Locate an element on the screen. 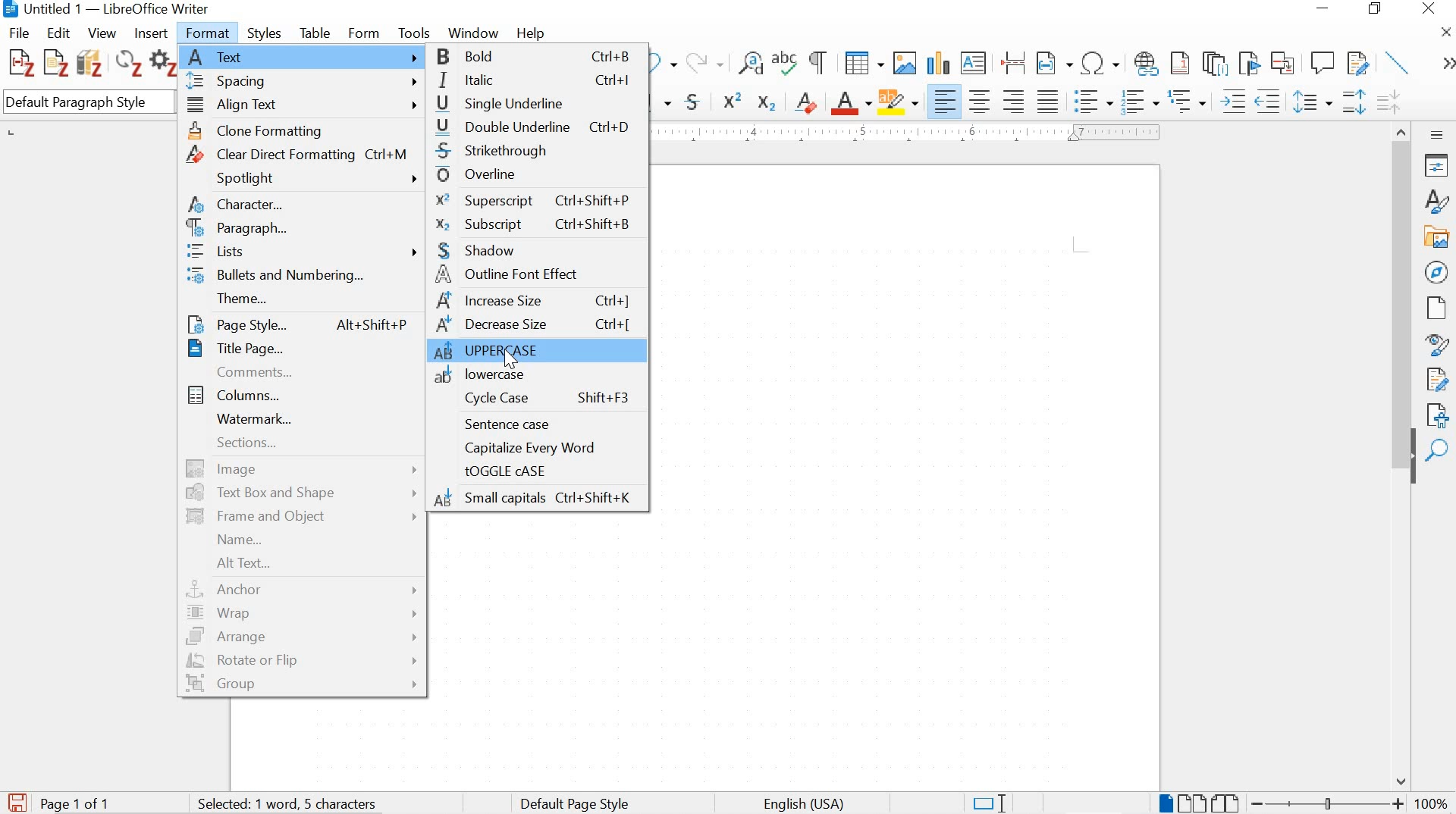 The height and width of the screenshot is (814, 1456). find and replace is located at coordinates (751, 64).